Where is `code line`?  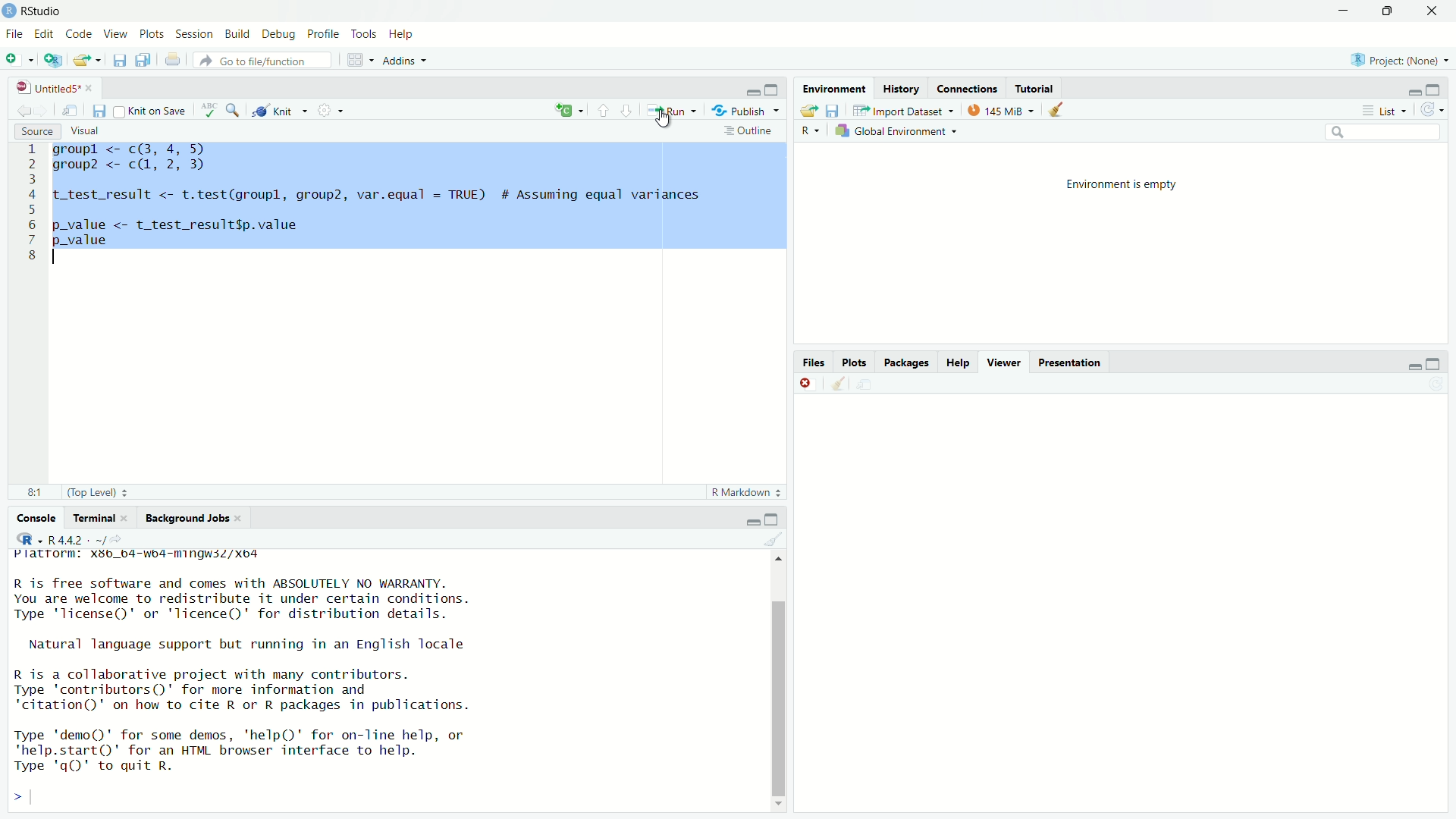
code line is located at coordinates (31, 202).